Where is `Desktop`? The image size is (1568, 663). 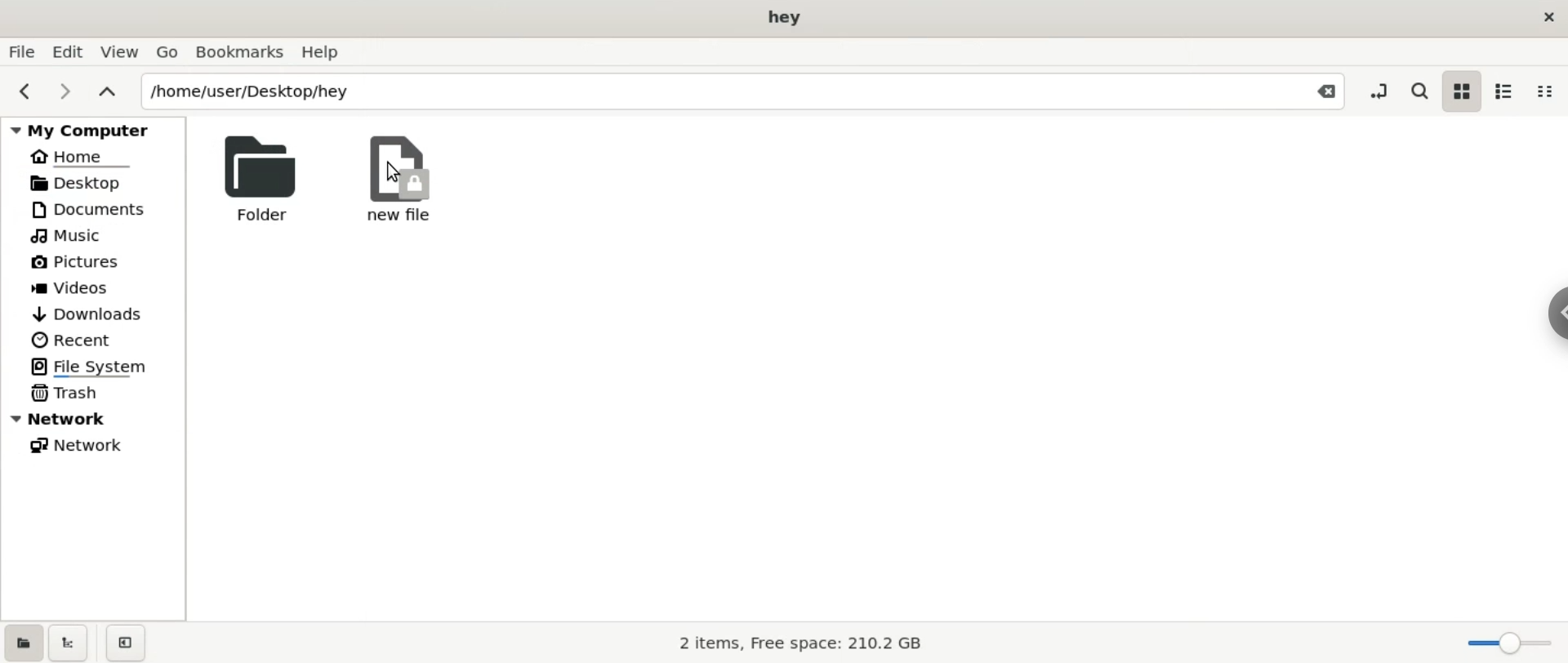
Desktop is located at coordinates (87, 182).